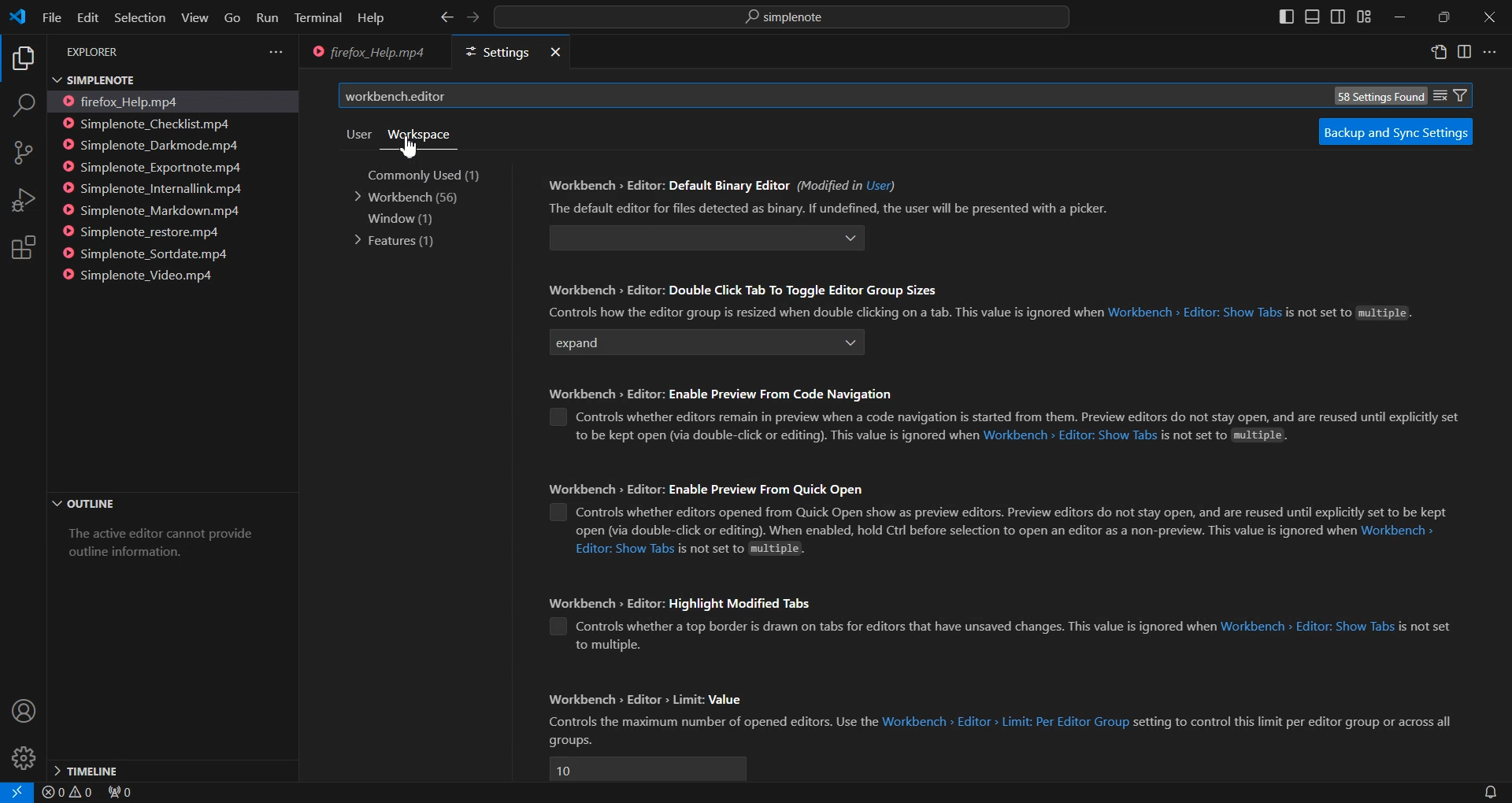  I want to click on Community used, so click(435, 175).